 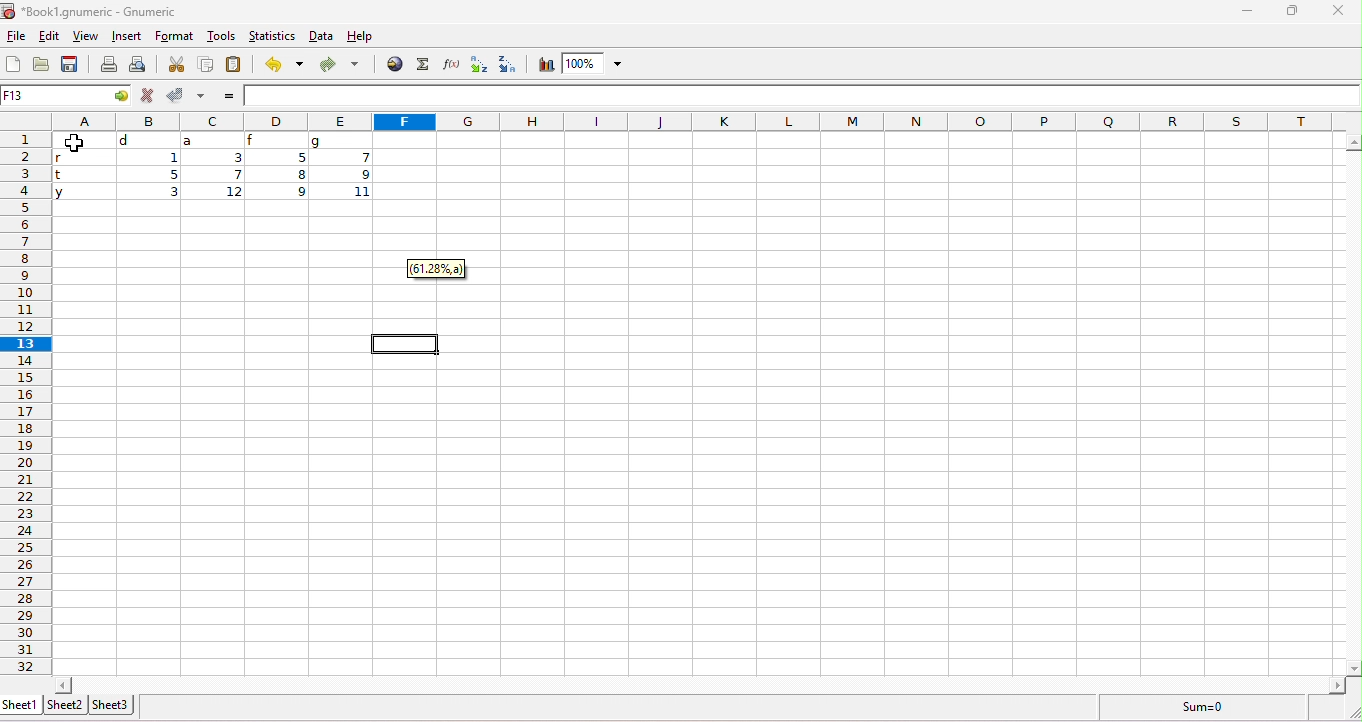 I want to click on cell options, so click(x=117, y=96).